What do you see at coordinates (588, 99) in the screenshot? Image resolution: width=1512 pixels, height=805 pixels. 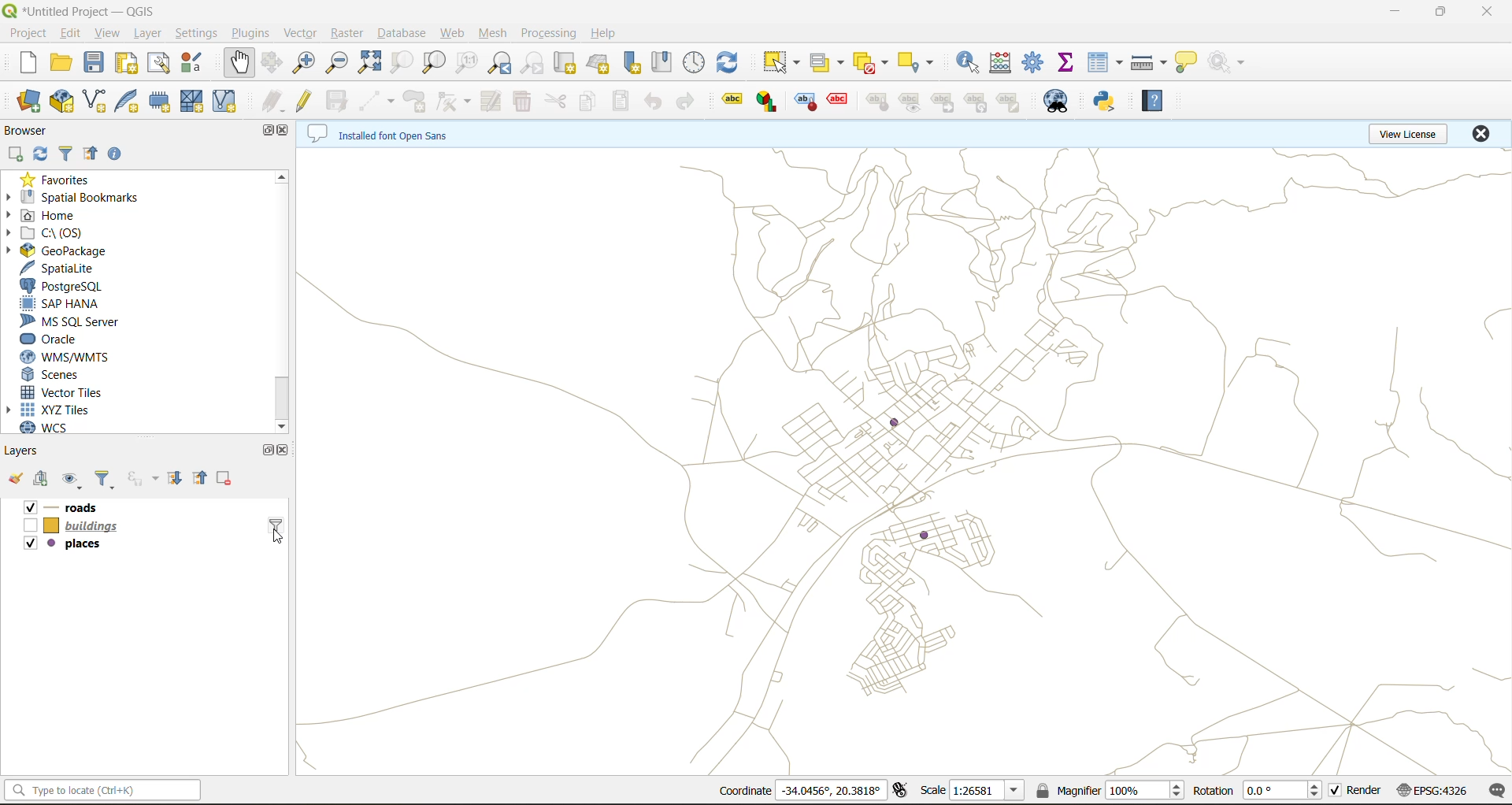 I see `copy` at bounding box center [588, 99].